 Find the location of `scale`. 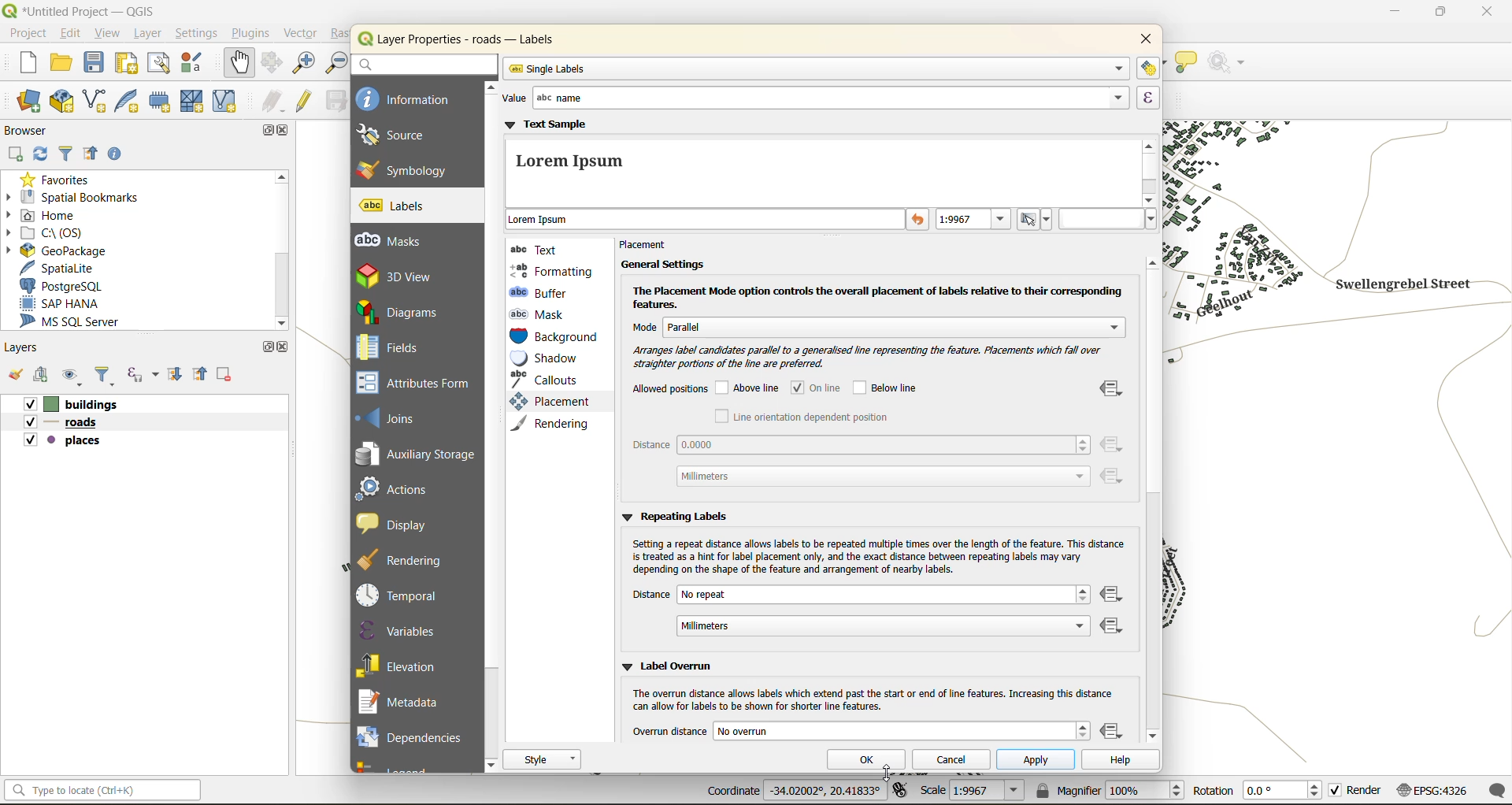

scale is located at coordinates (973, 792).